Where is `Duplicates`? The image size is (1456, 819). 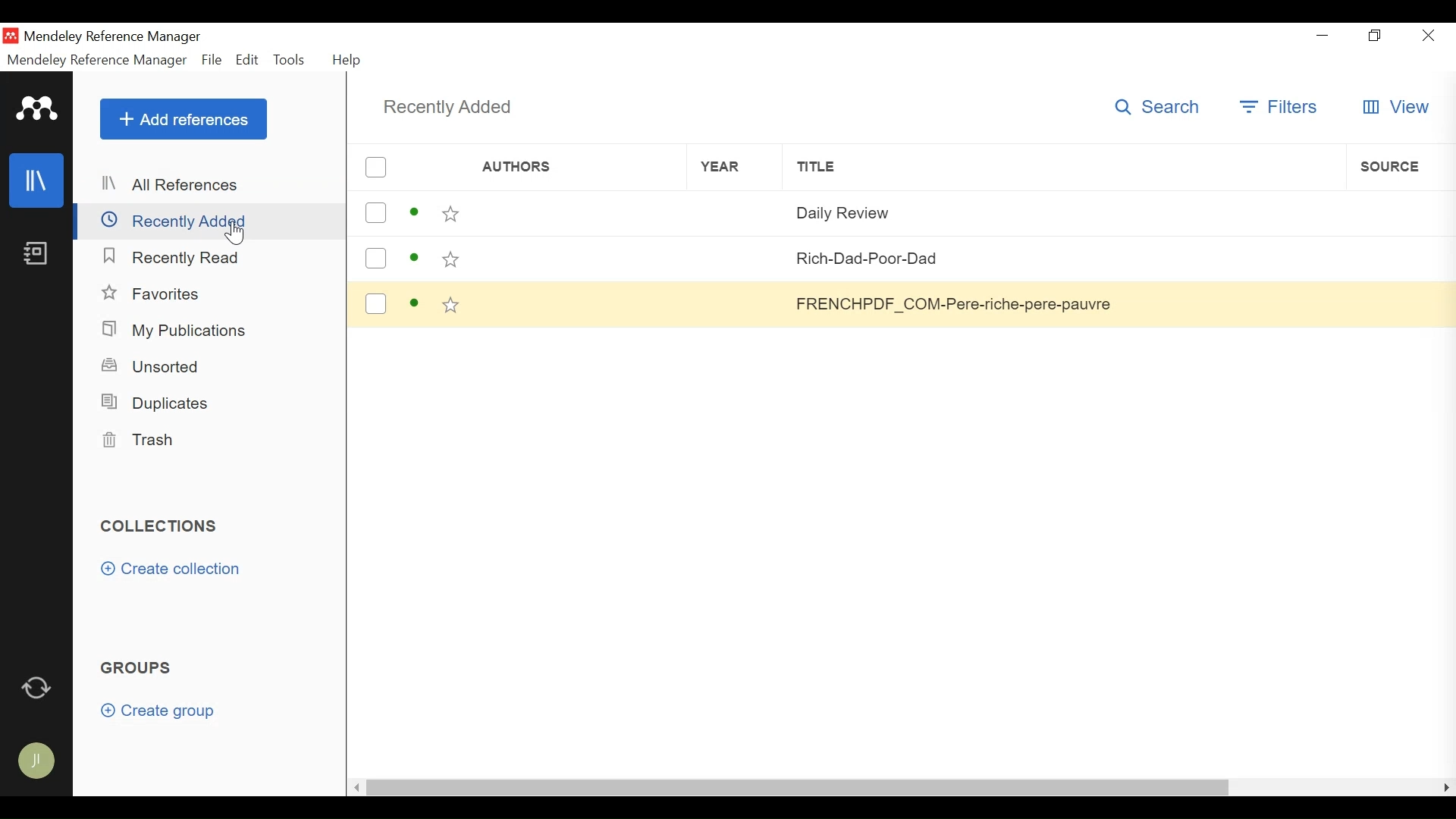 Duplicates is located at coordinates (162, 400).